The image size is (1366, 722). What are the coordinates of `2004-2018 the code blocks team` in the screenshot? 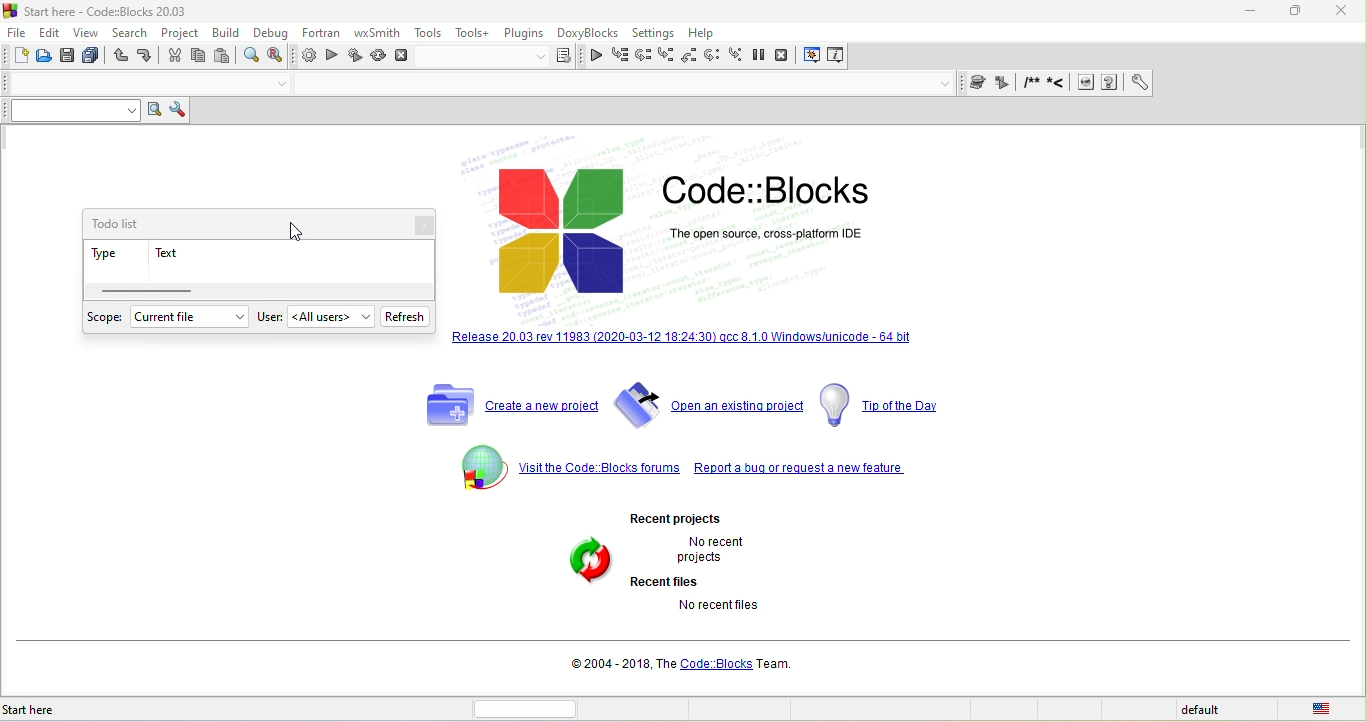 It's located at (686, 663).